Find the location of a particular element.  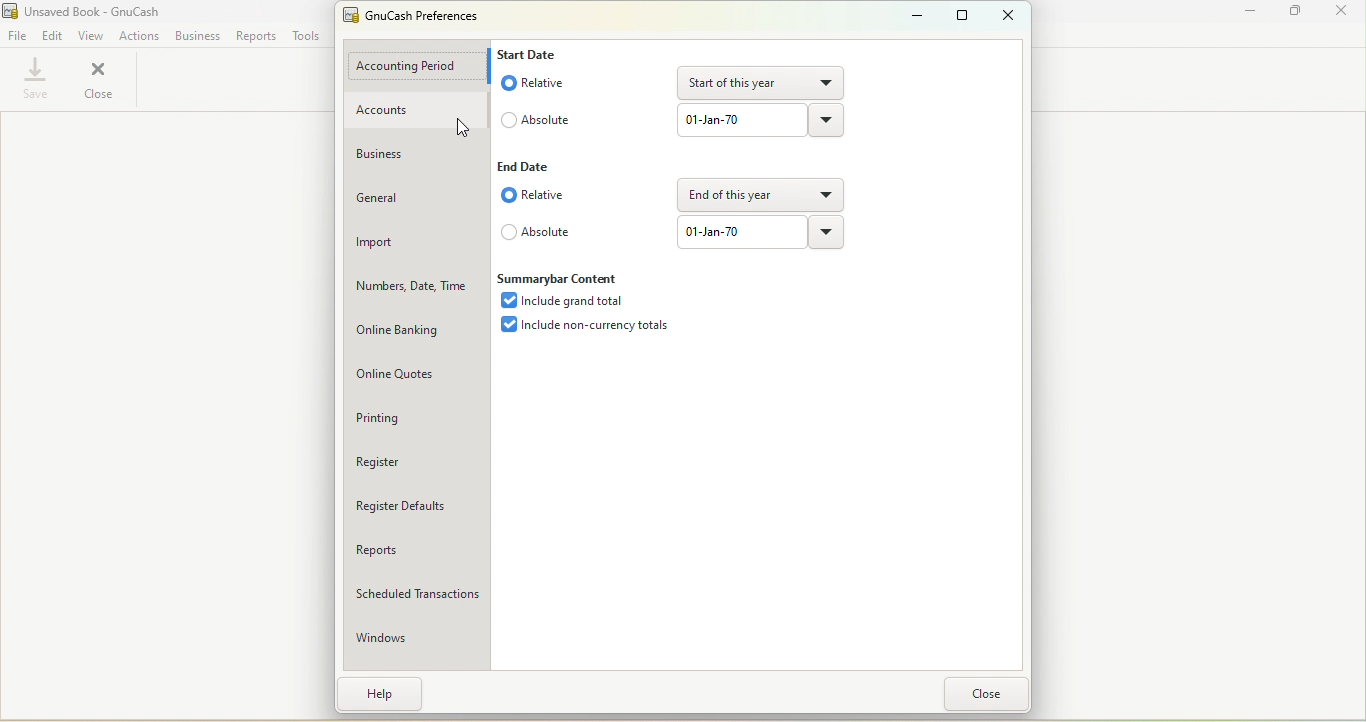

Business is located at coordinates (414, 153).